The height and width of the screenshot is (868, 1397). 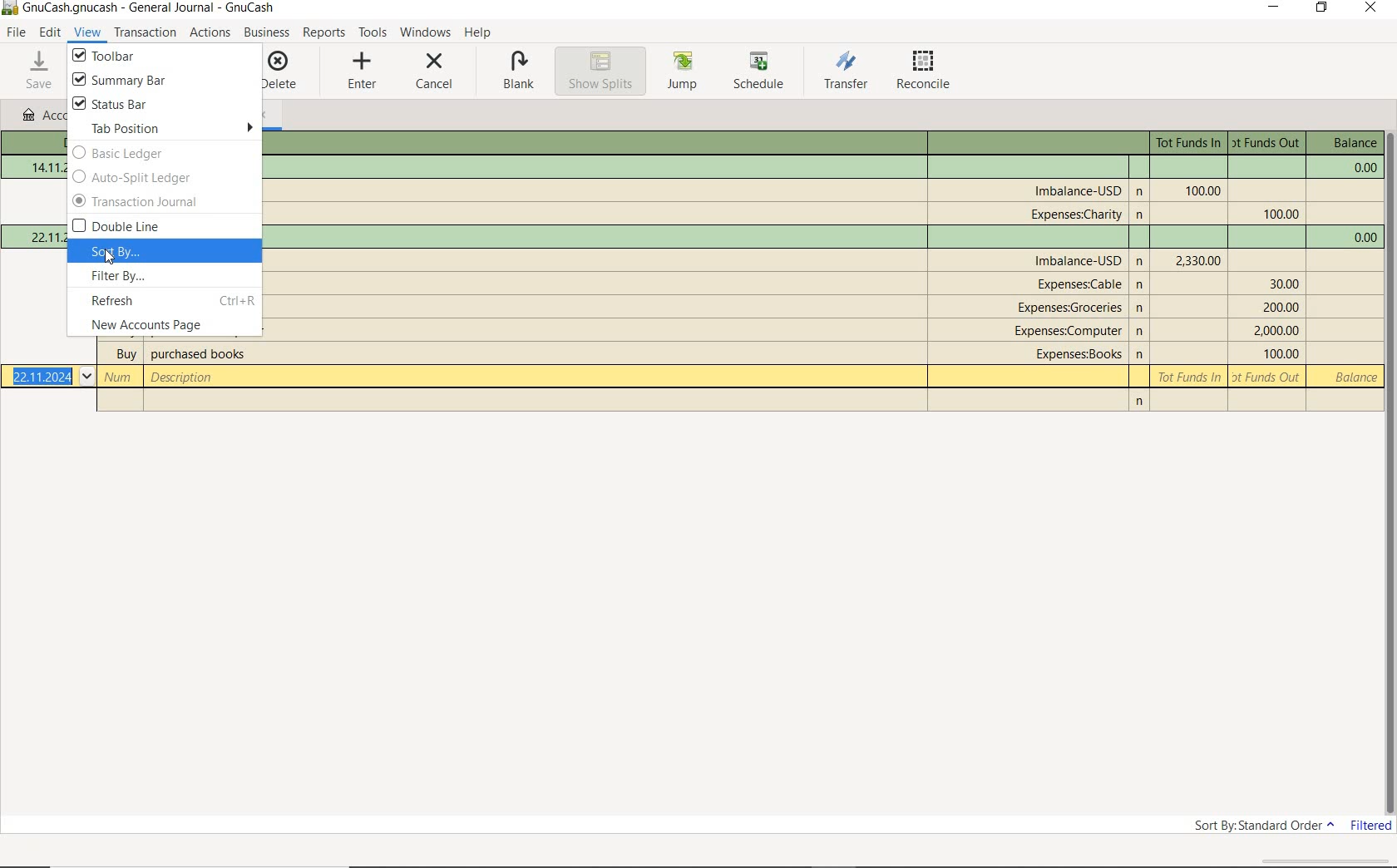 I want to click on ACTIONS, so click(x=210, y=34).